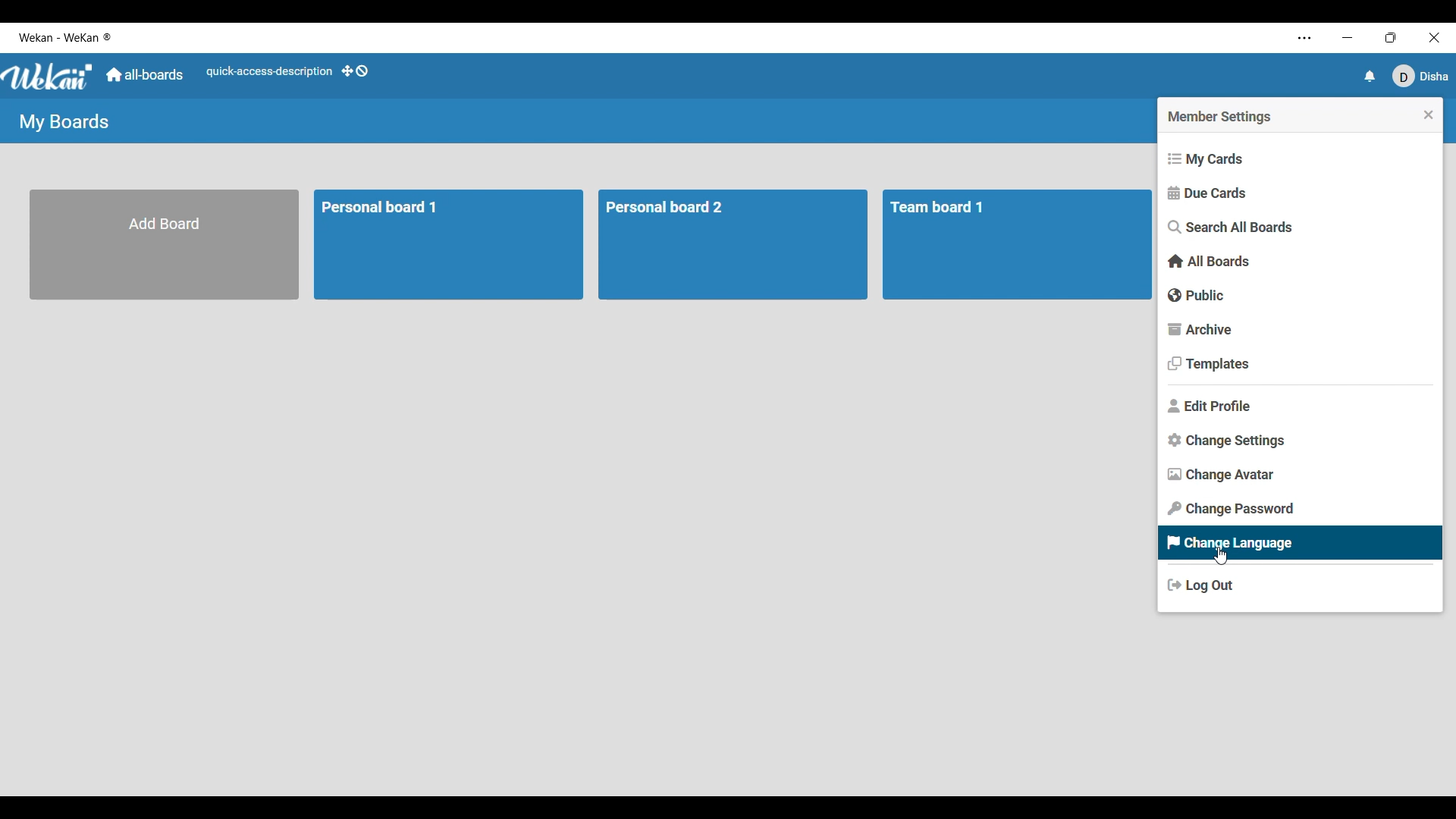 This screenshot has width=1456, height=819. What do you see at coordinates (1389, 36) in the screenshot?
I see `Maximize` at bounding box center [1389, 36].